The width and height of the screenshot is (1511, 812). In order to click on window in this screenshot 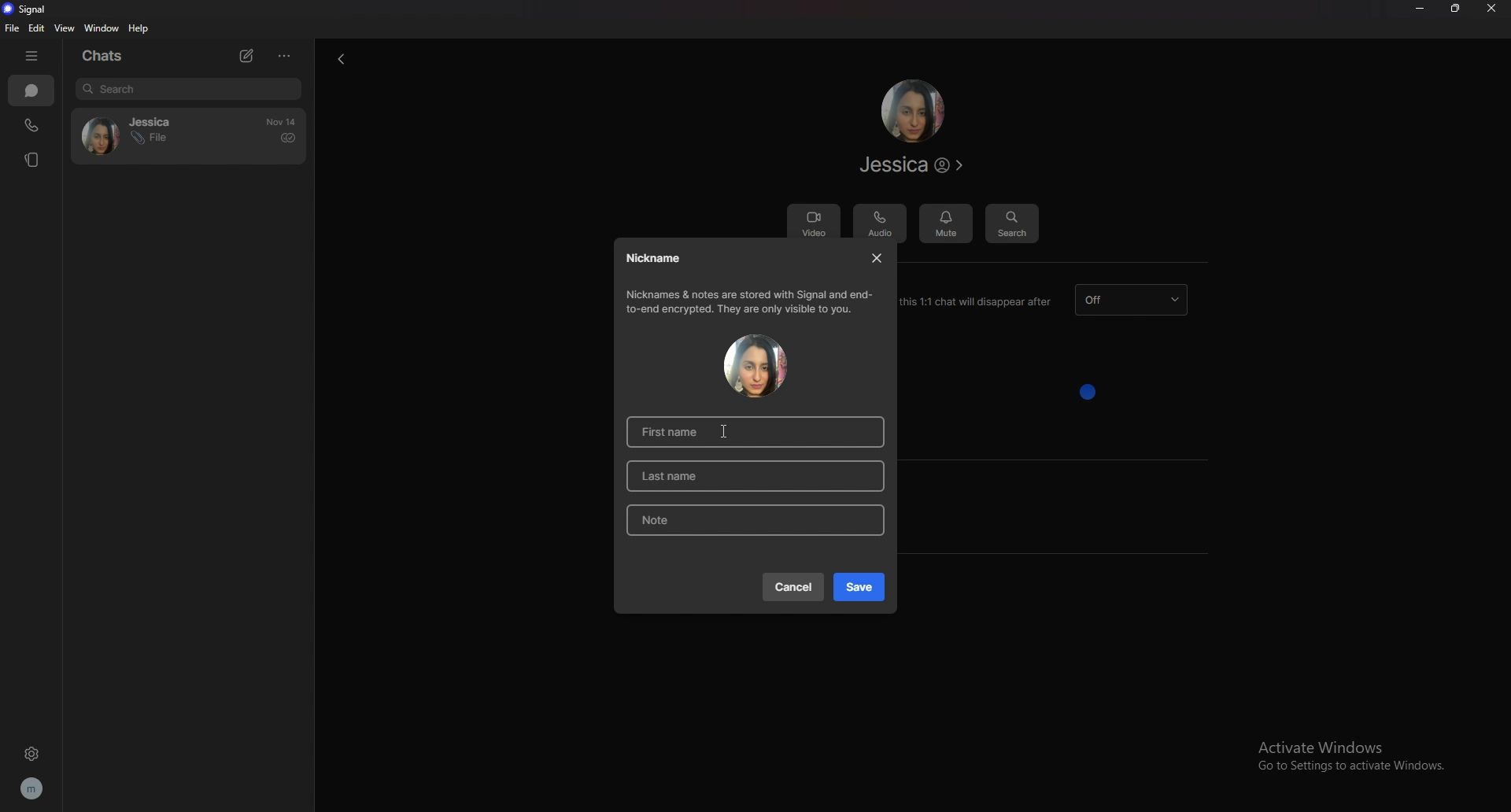, I will do `click(102, 28)`.